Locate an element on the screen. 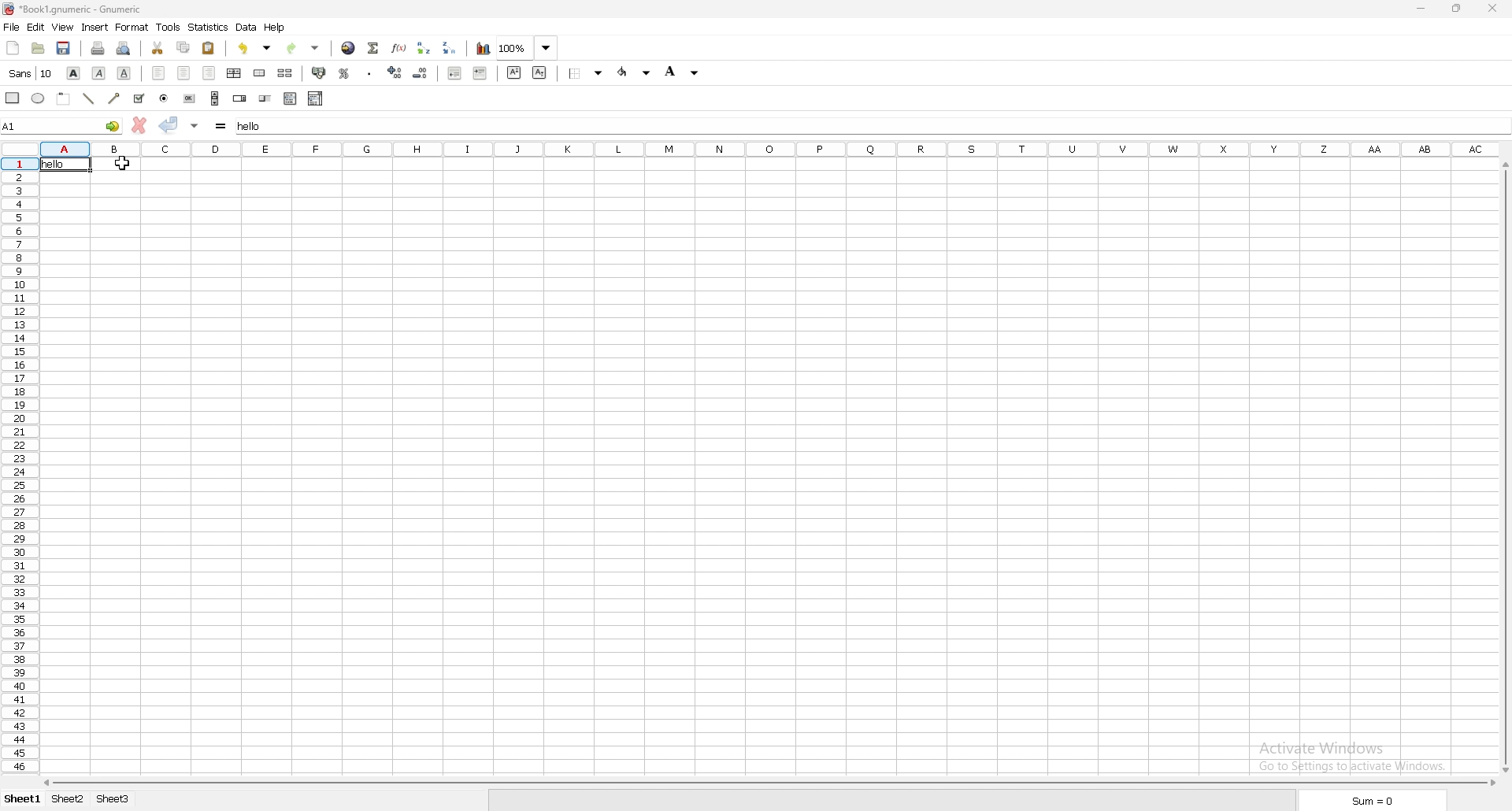  foreground is located at coordinates (683, 72).